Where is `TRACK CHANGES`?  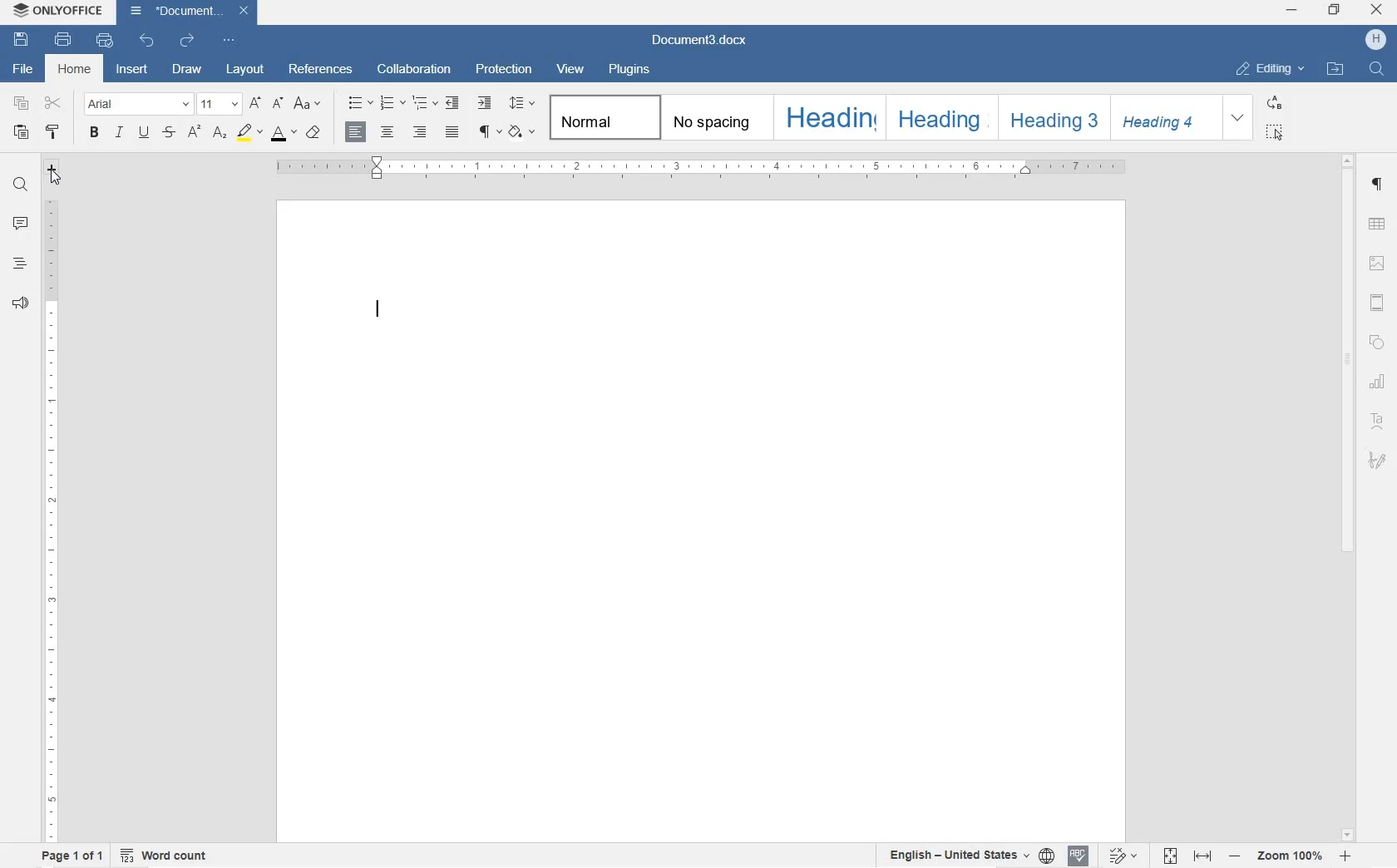 TRACK CHANGES is located at coordinates (1121, 856).